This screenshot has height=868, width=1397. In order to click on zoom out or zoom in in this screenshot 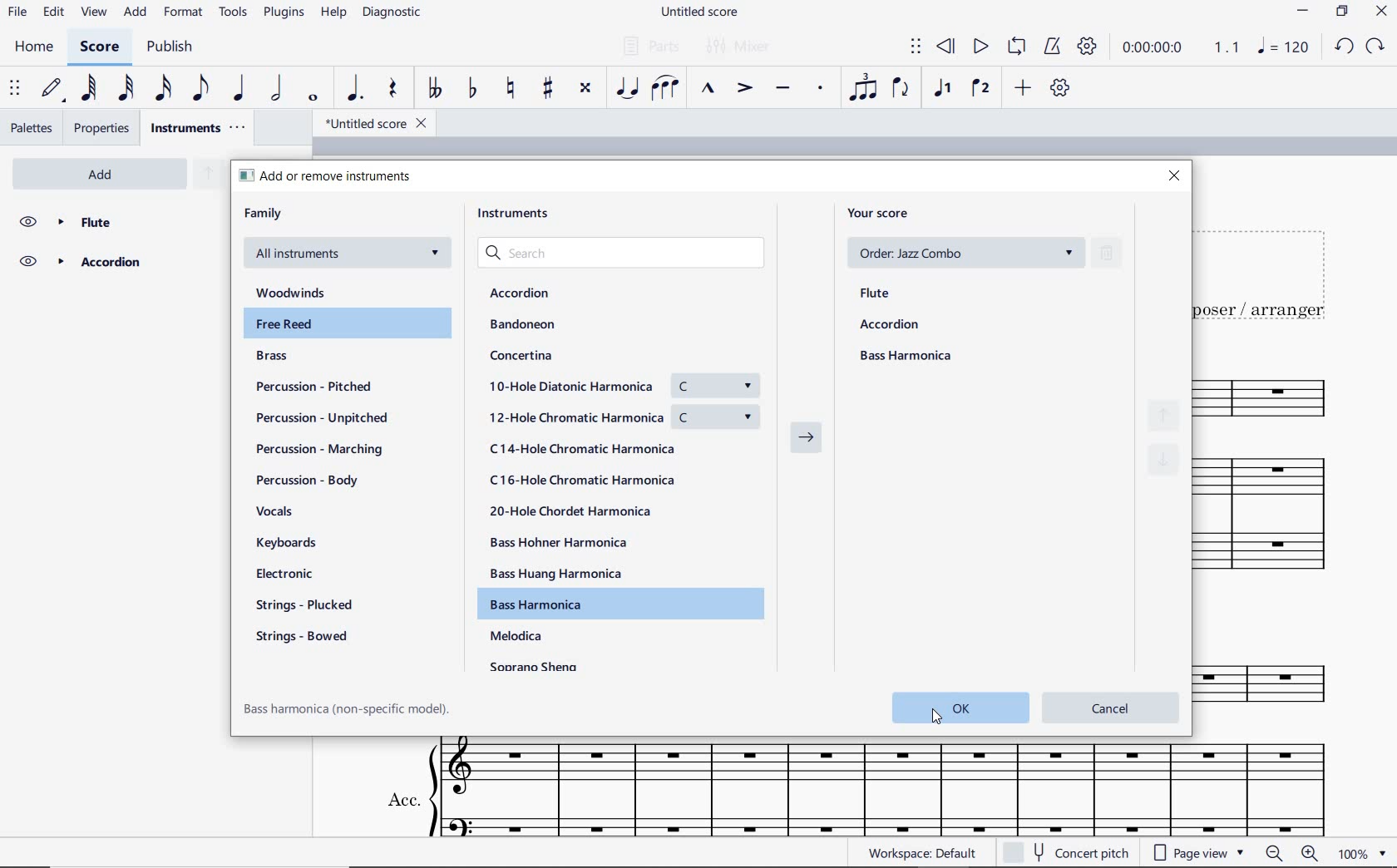, I will do `click(1291, 854)`.